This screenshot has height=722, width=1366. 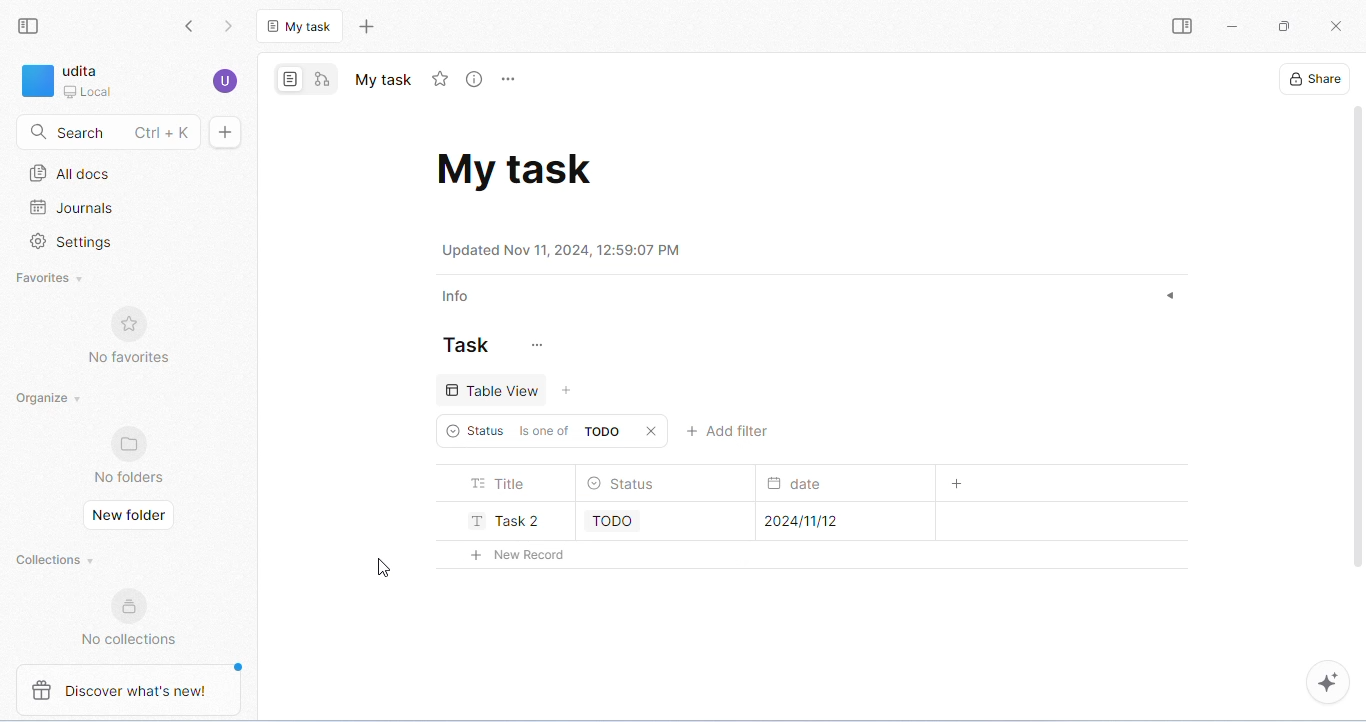 What do you see at coordinates (730, 431) in the screenshot?
I see `add filter` at bounding box center [730, 431].